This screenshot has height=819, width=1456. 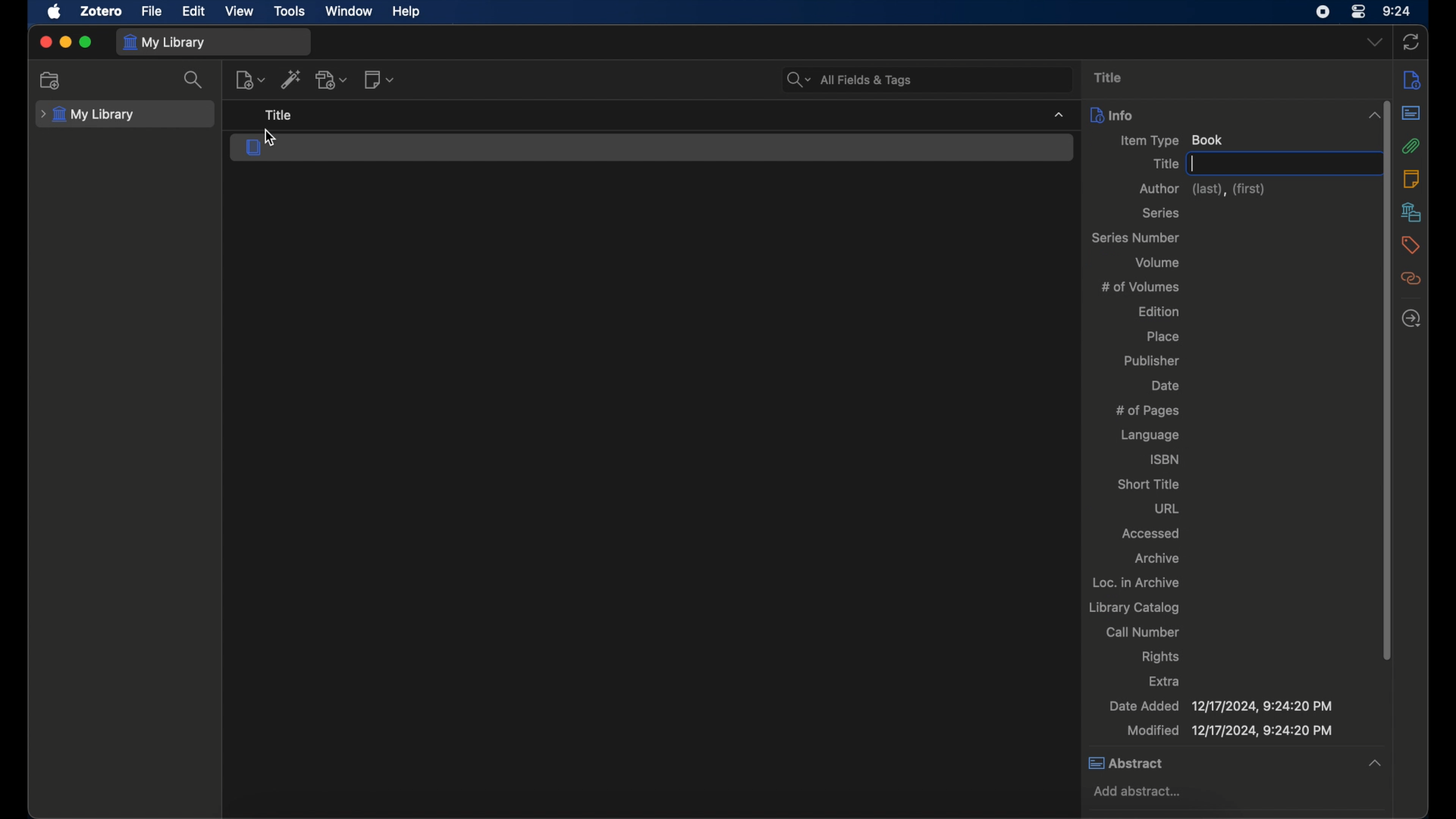 I want to click on series number, so click(x=1136, y=238).